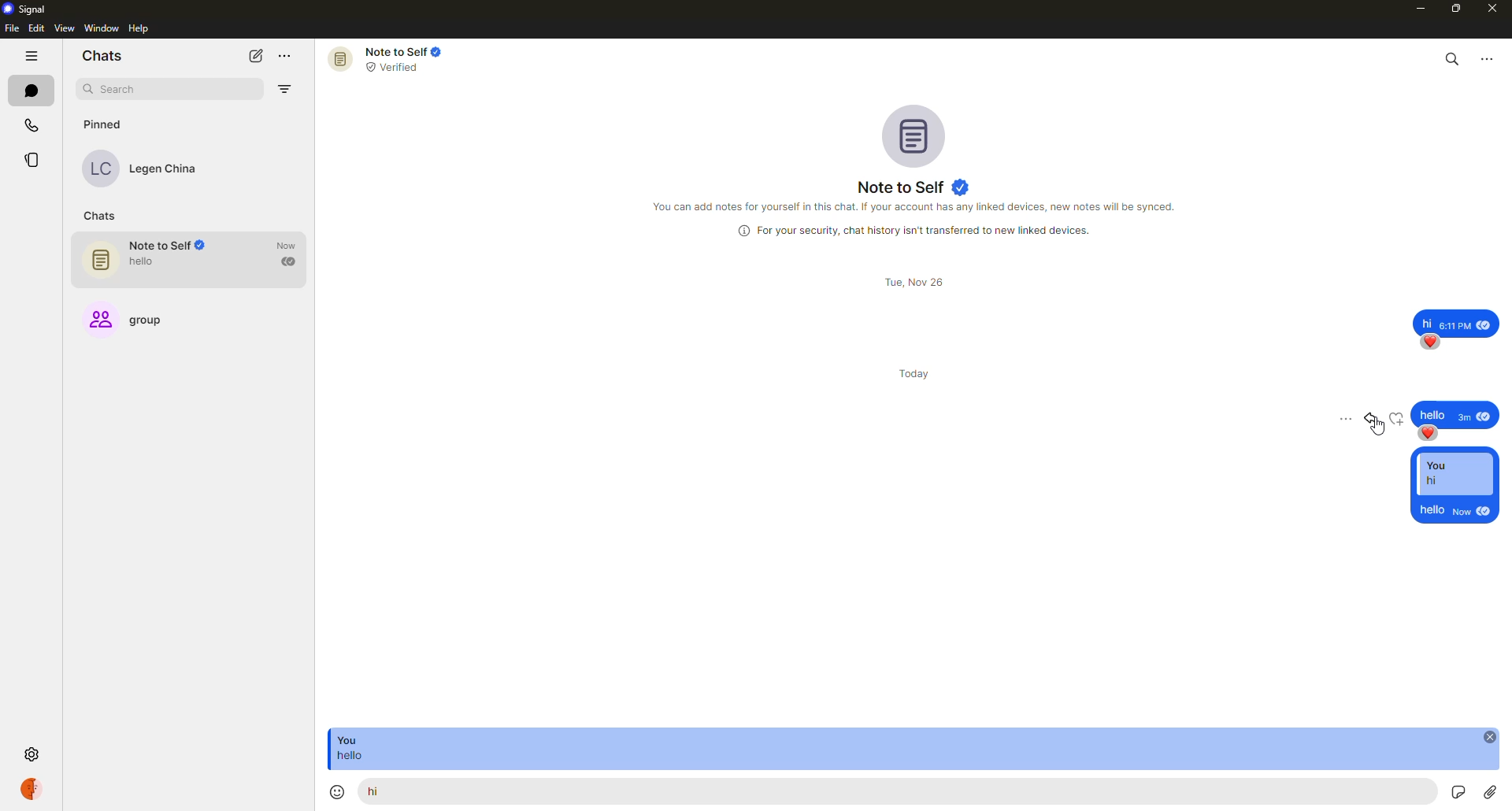  Describe the element at coordinates (101, 28) in the screenshot. I see `window` at that location.